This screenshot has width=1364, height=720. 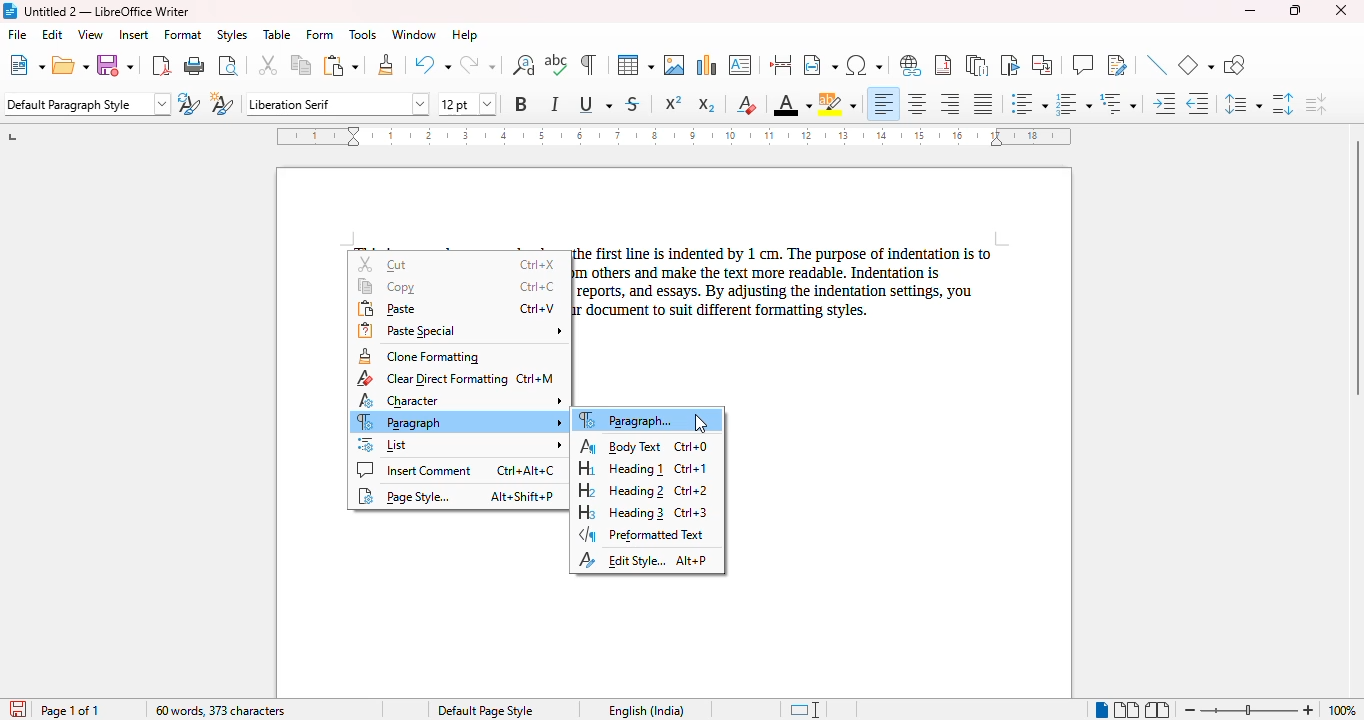 What do you see at coordinates (26, 64) in the screenshot?
I see `new` at bounding box center [26, 64].